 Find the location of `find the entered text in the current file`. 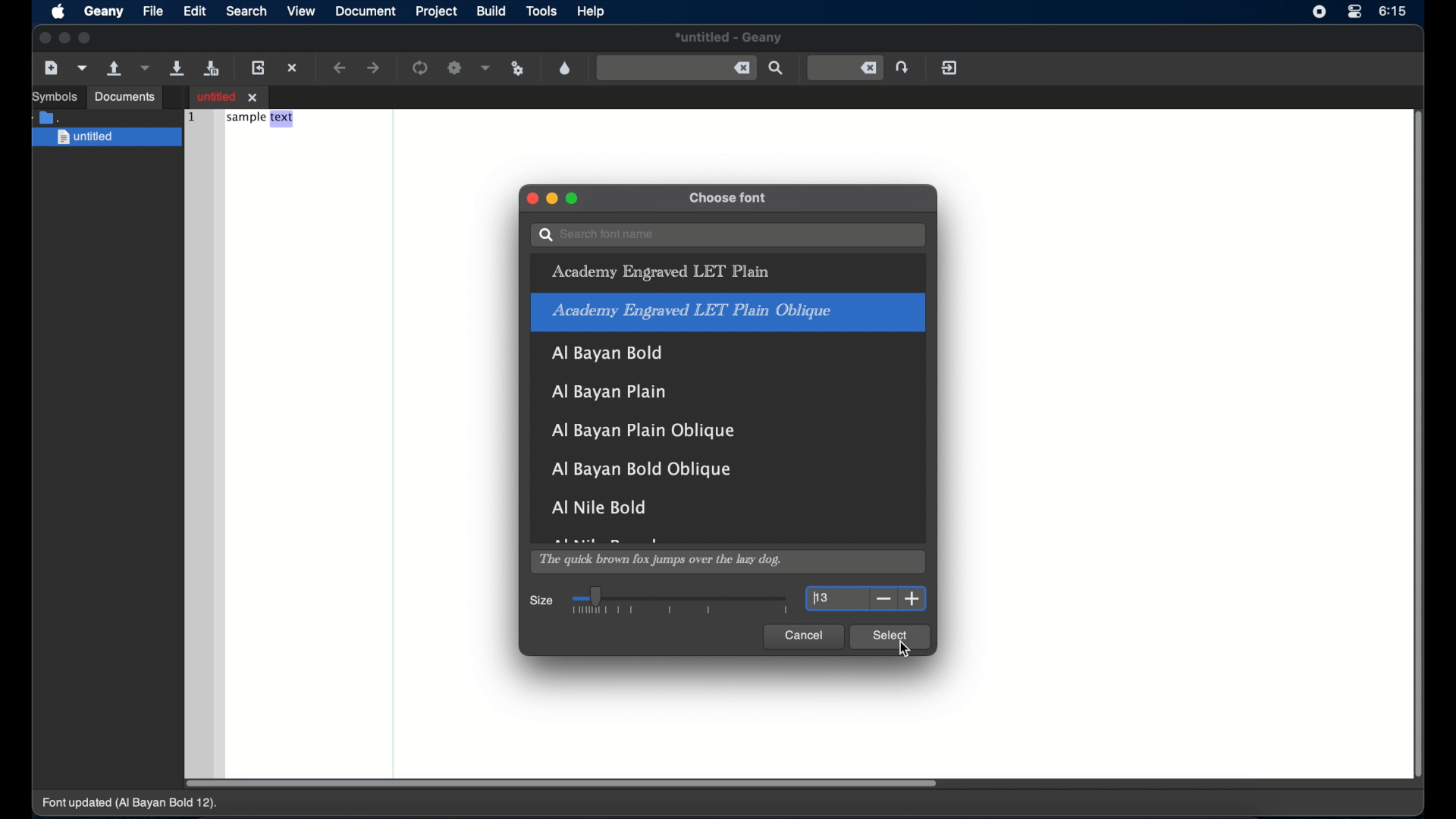

find the entered text in the current file is located at coordinates (777, 68).